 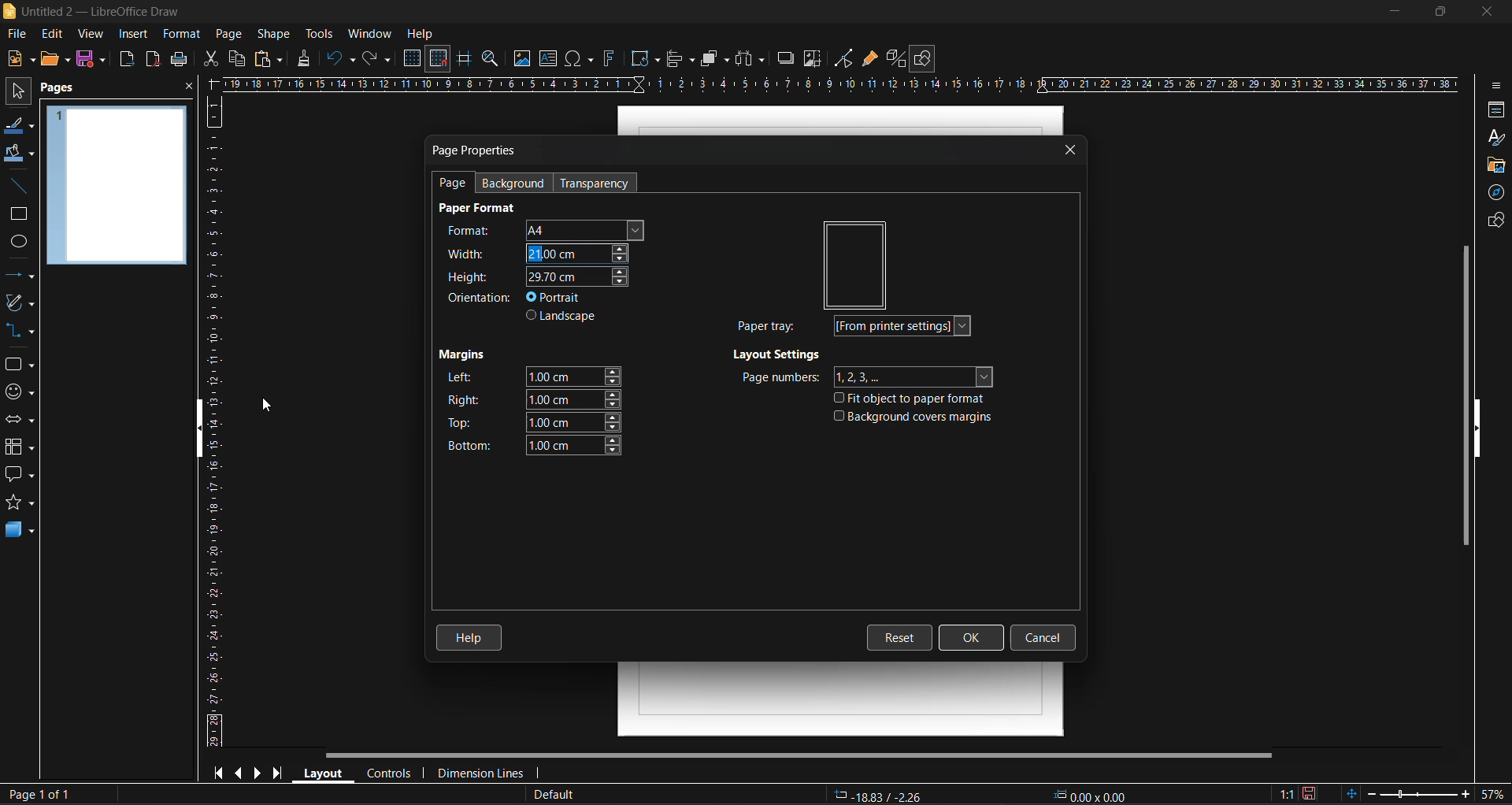 What do you see at coordinates (812, 61) in the screenshot?
I see `crop image` at bounding box center [812, 61].